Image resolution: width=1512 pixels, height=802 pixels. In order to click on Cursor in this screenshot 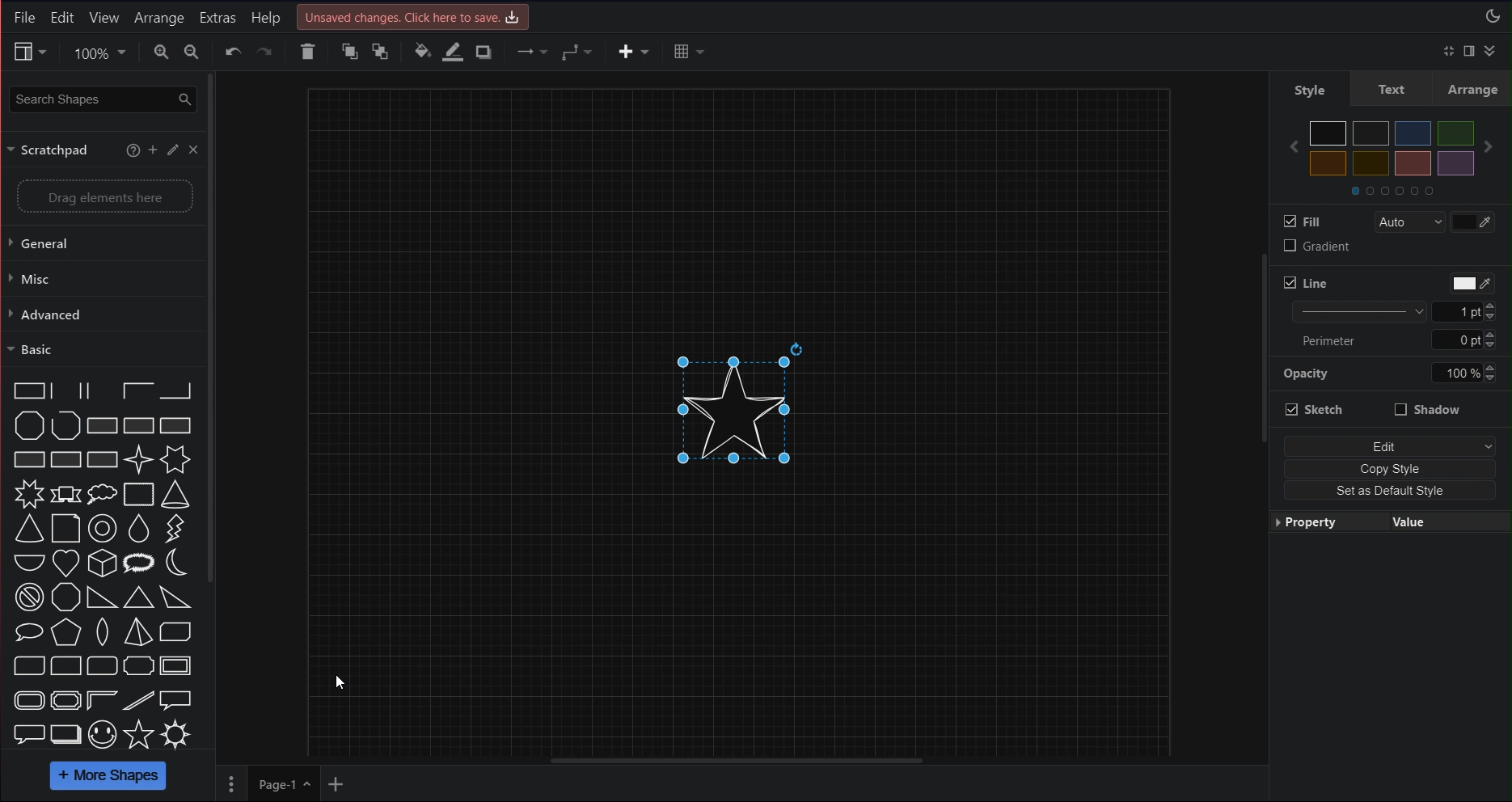, I will do `click(340, 682)`.